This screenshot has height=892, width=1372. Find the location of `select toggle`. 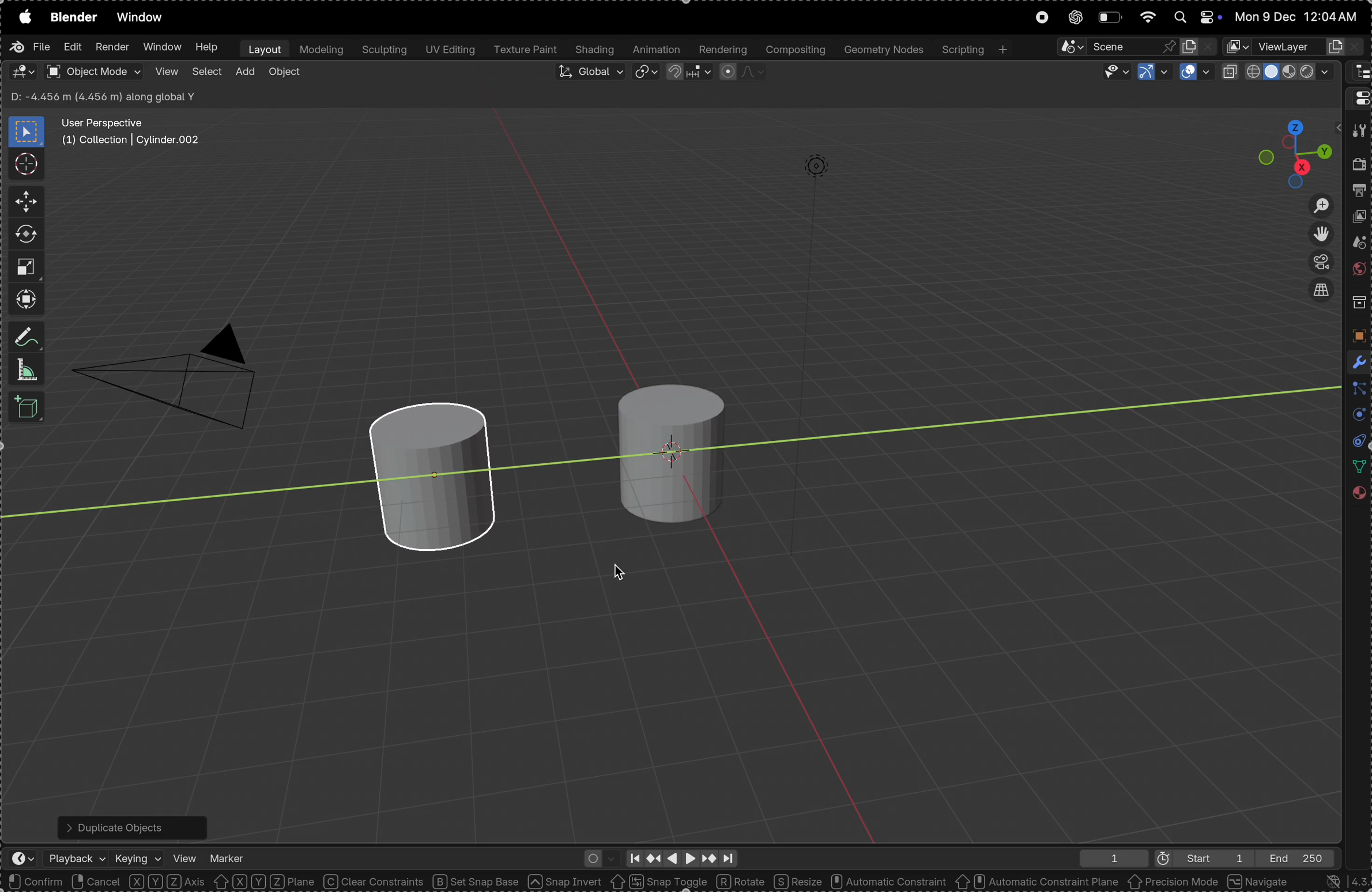

select toggle is located at coordinates (52, 882).